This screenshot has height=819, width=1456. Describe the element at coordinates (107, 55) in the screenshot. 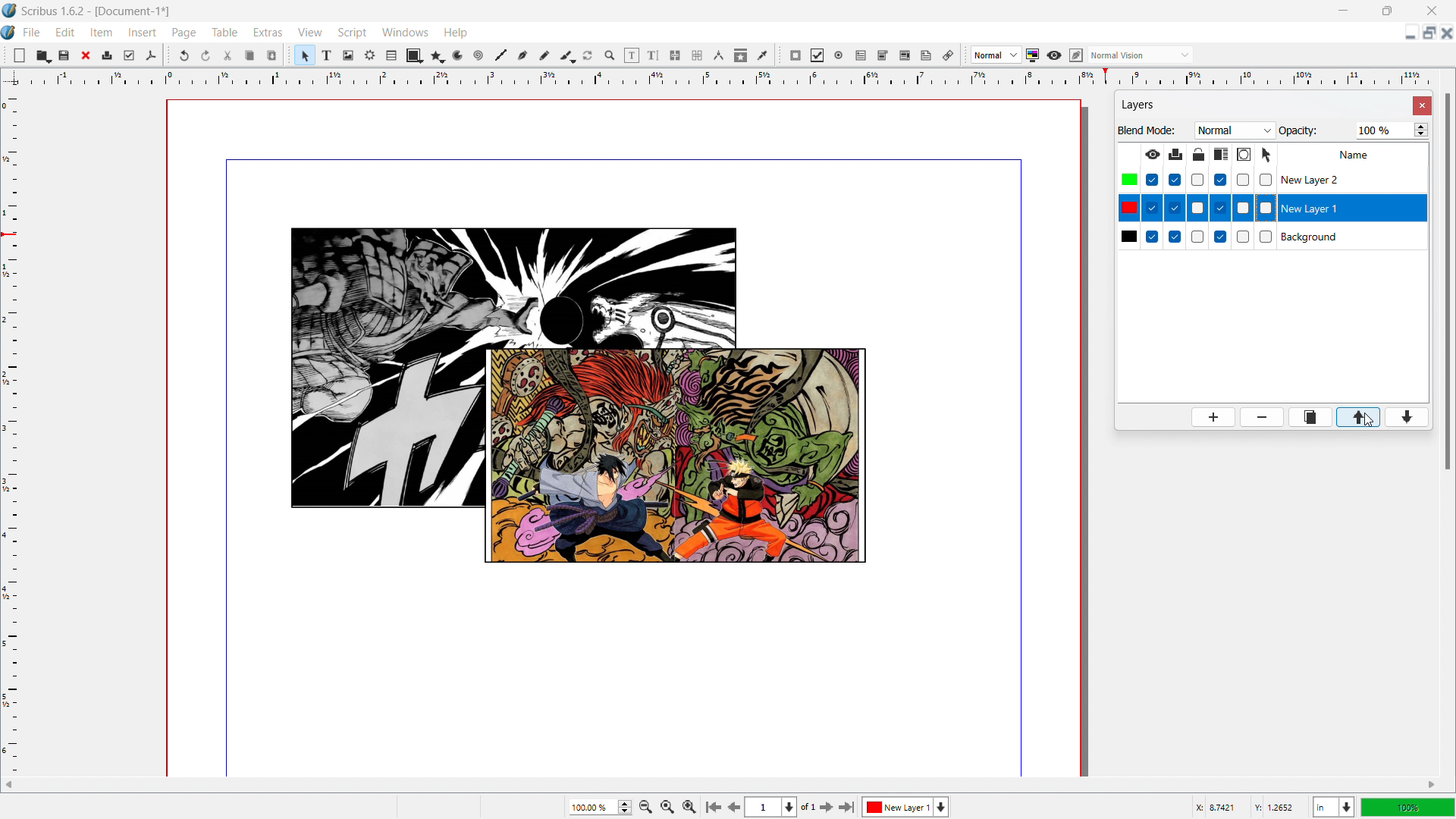

I see `print` at that location.